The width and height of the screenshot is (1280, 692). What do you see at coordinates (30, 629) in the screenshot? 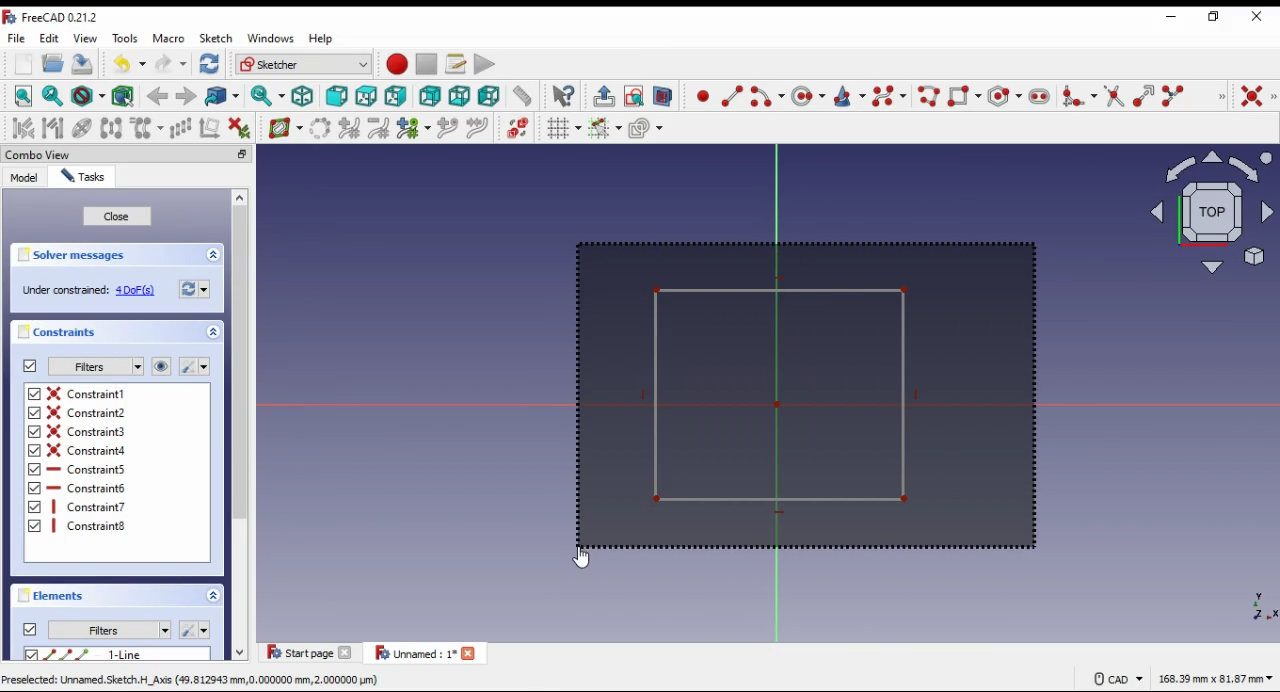
I see `on/off elements` at bounding box center [30, 629].